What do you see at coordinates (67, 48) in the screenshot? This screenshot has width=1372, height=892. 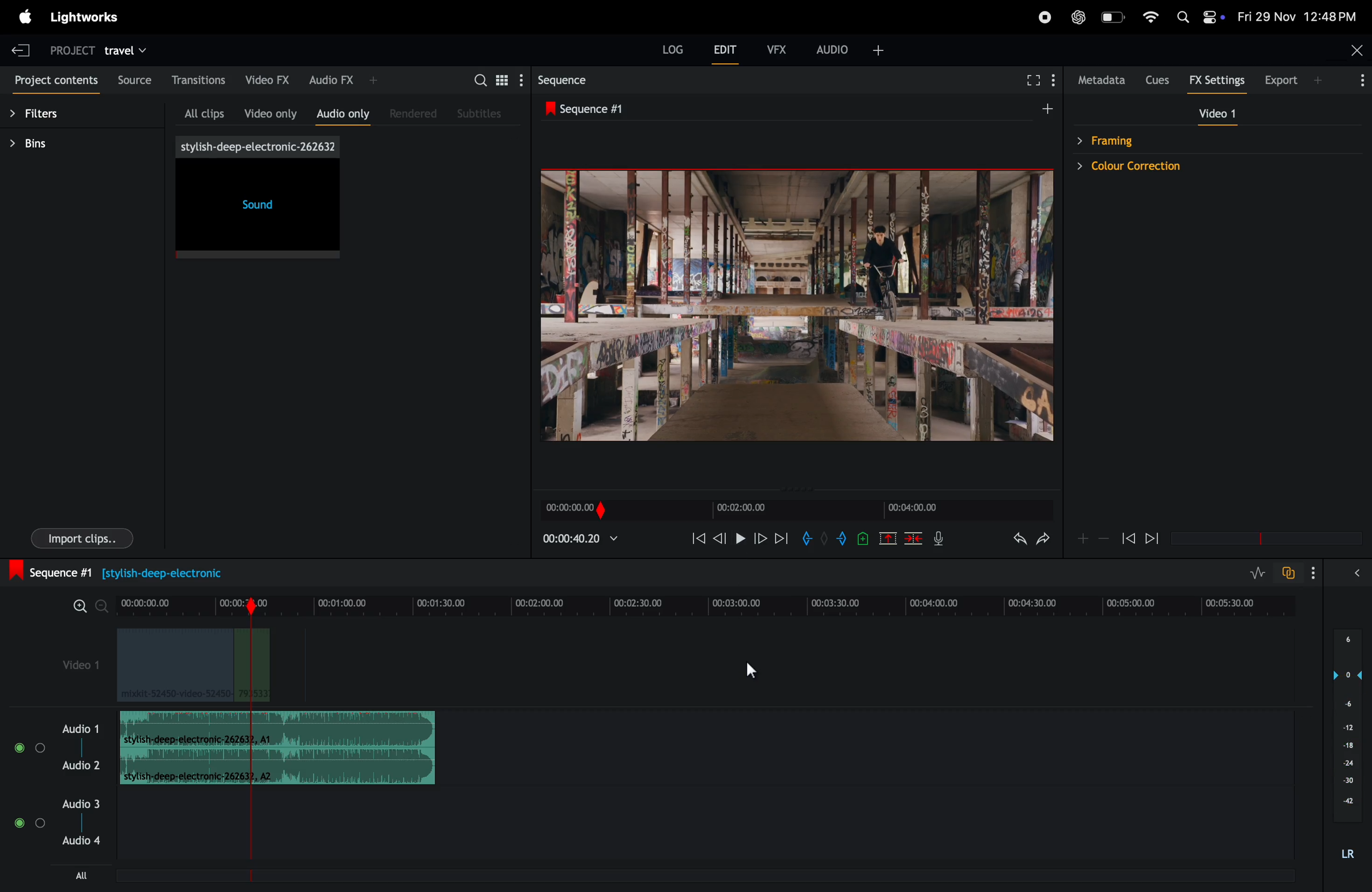 I see `project` at bounding box center [67, 48].